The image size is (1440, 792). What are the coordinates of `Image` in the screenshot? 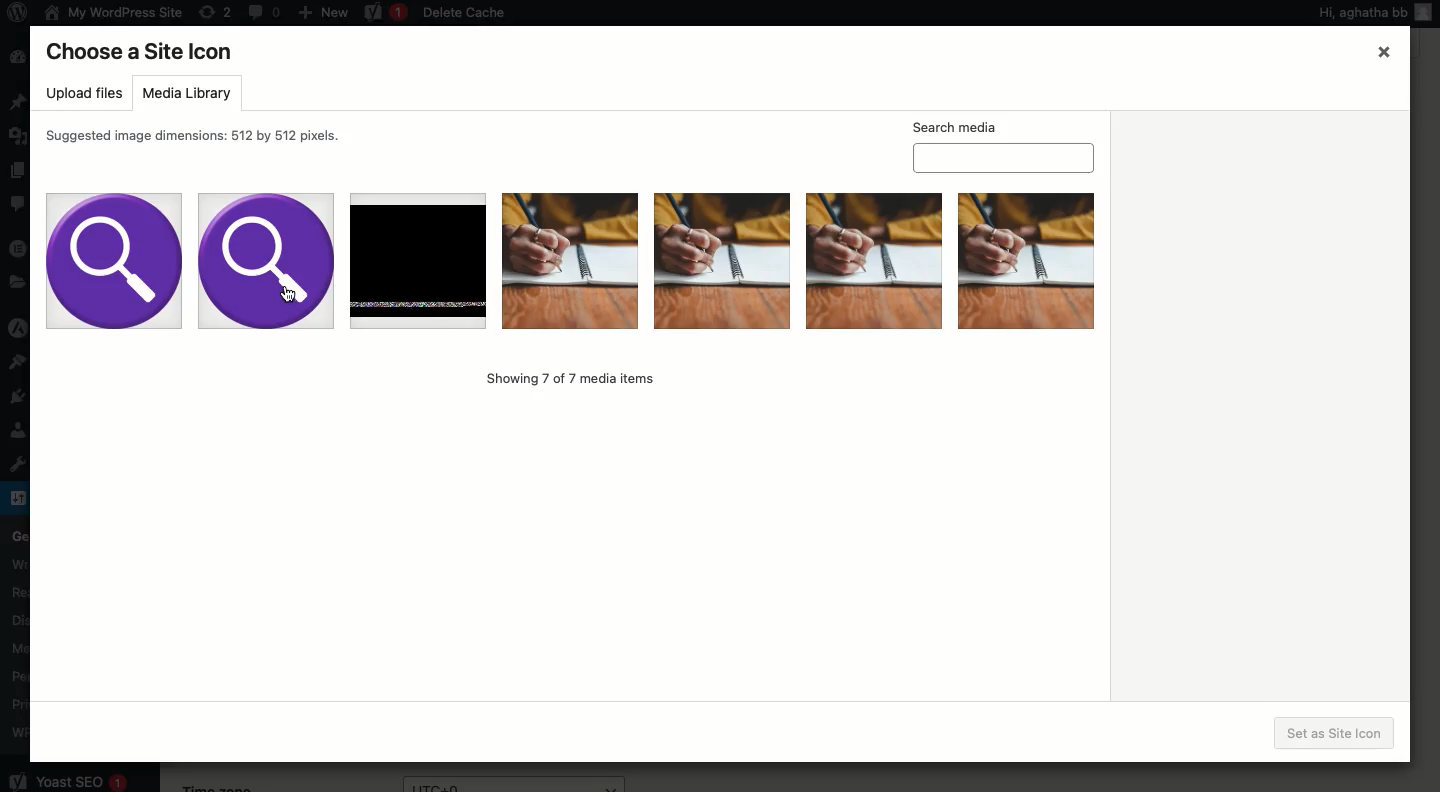 It's located at (117, 260).